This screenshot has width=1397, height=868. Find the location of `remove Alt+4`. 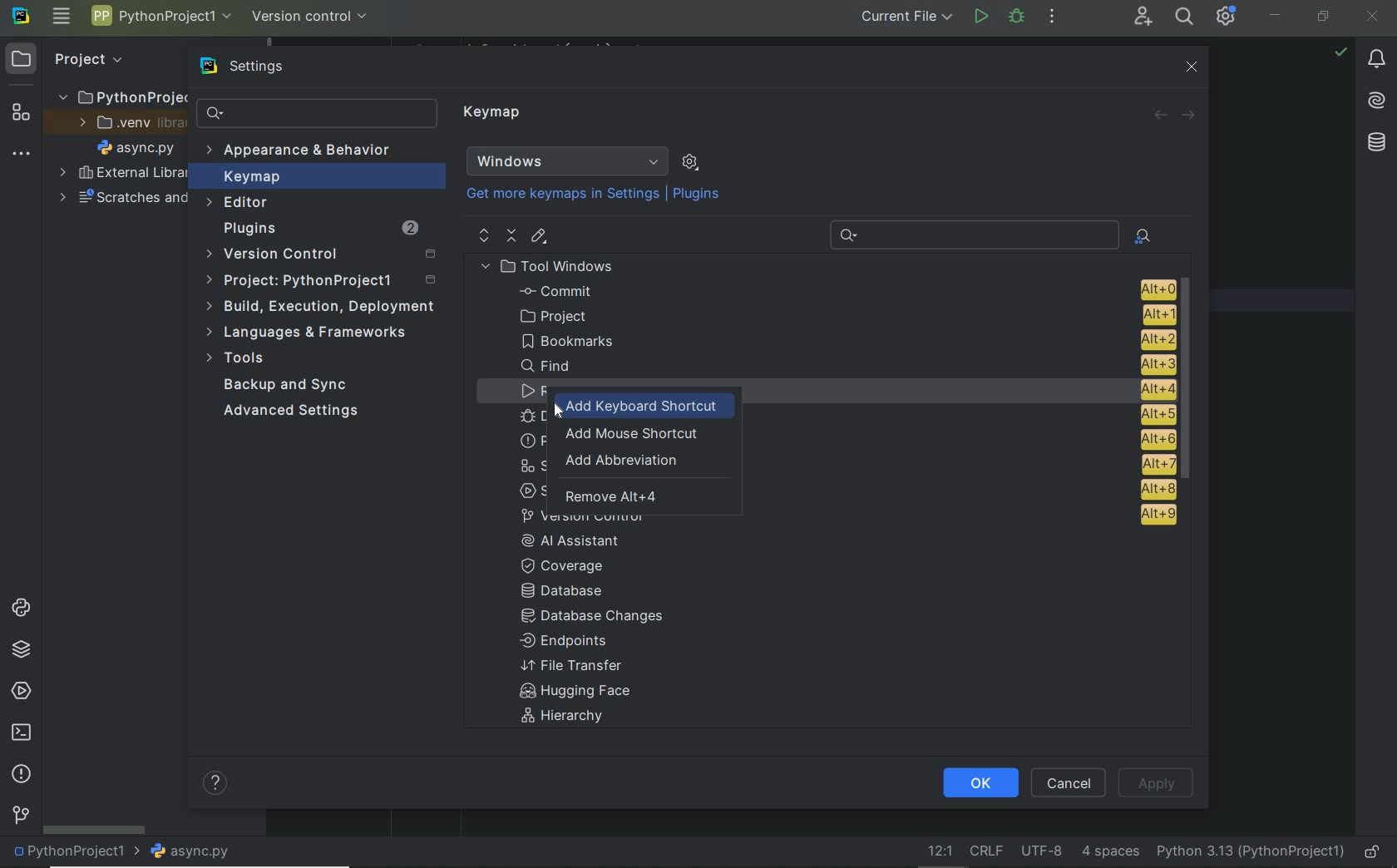

remove Alt+4 is located at coordinates (615, 497).